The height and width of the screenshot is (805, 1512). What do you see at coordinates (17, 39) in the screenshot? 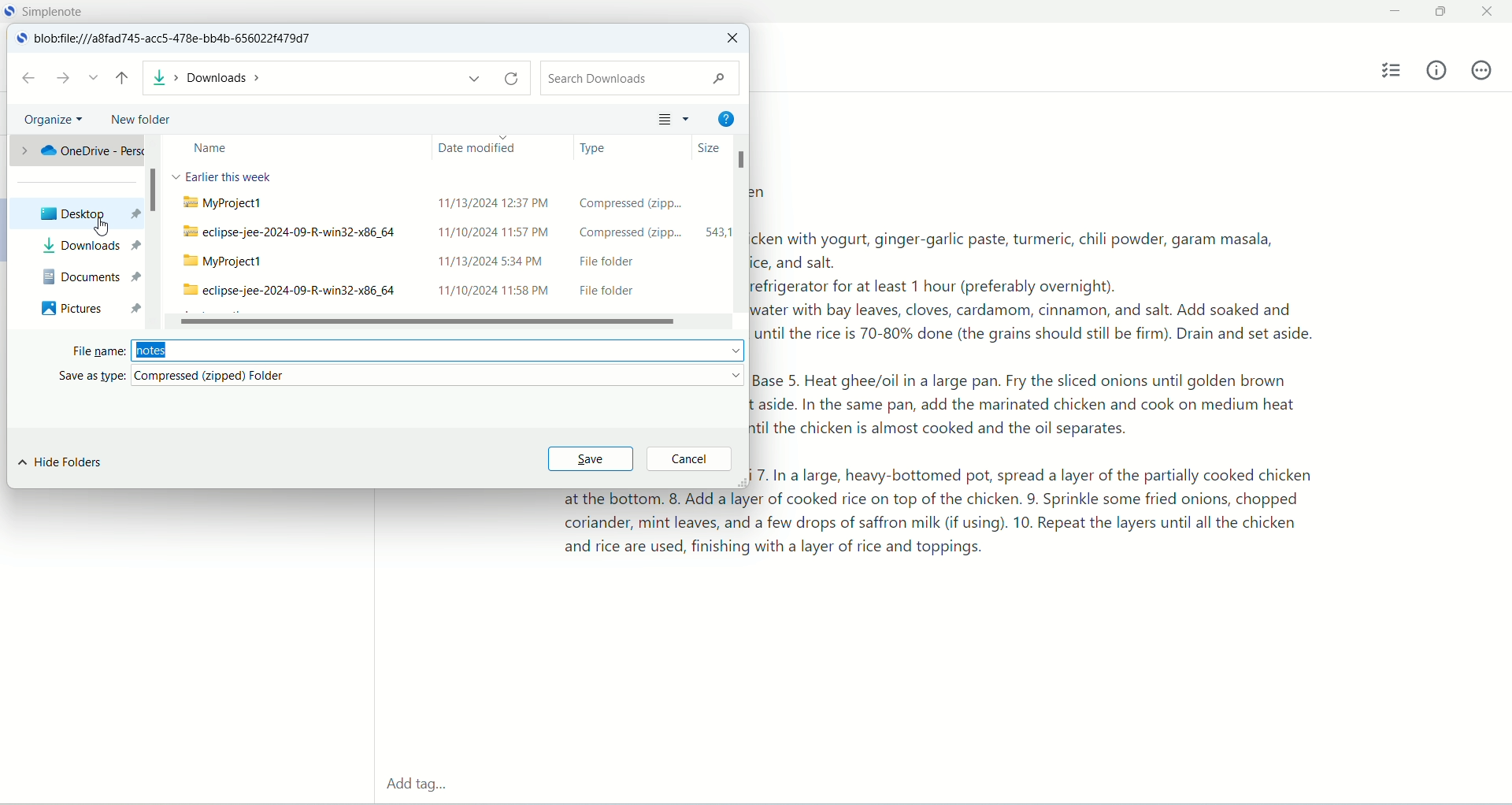
I see `logo` at bounding box center [17, 39].